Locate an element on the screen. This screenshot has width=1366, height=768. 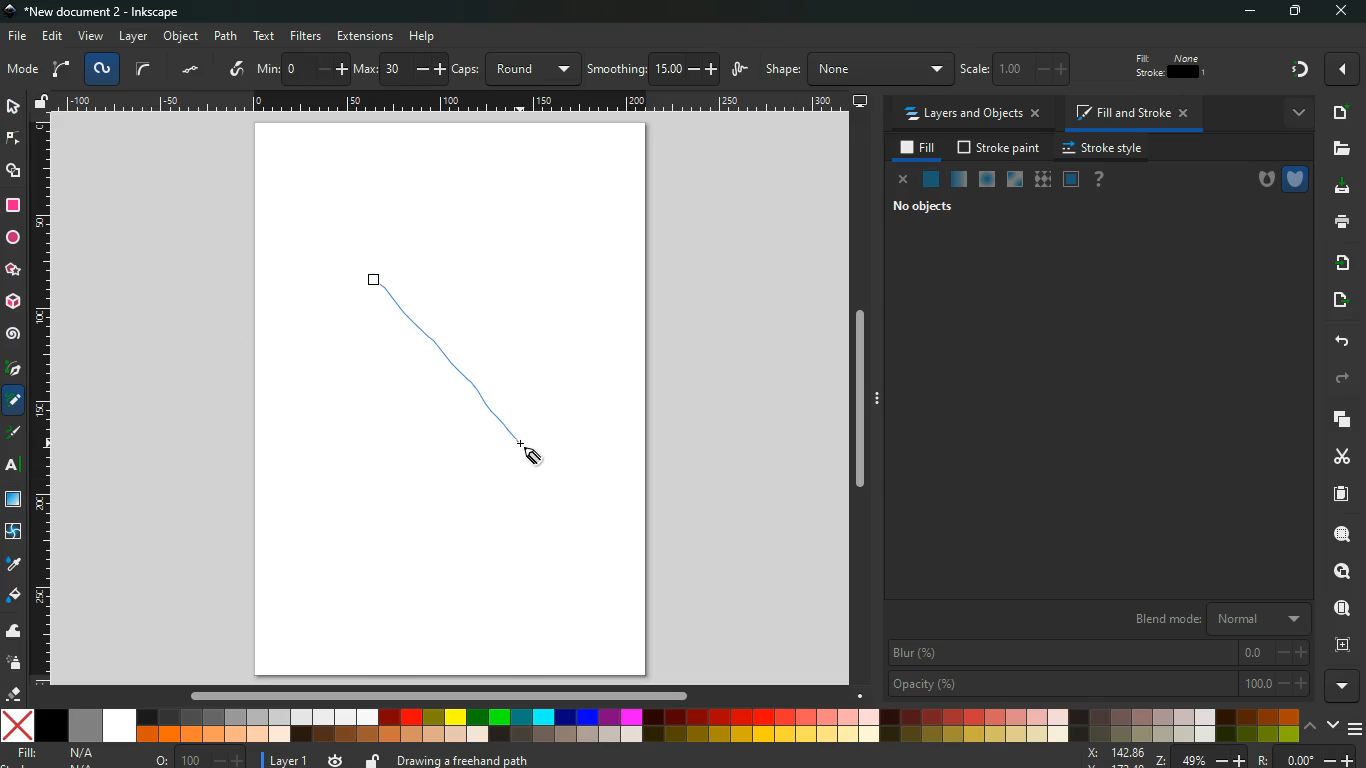
 is located at coordinates (860, 407).